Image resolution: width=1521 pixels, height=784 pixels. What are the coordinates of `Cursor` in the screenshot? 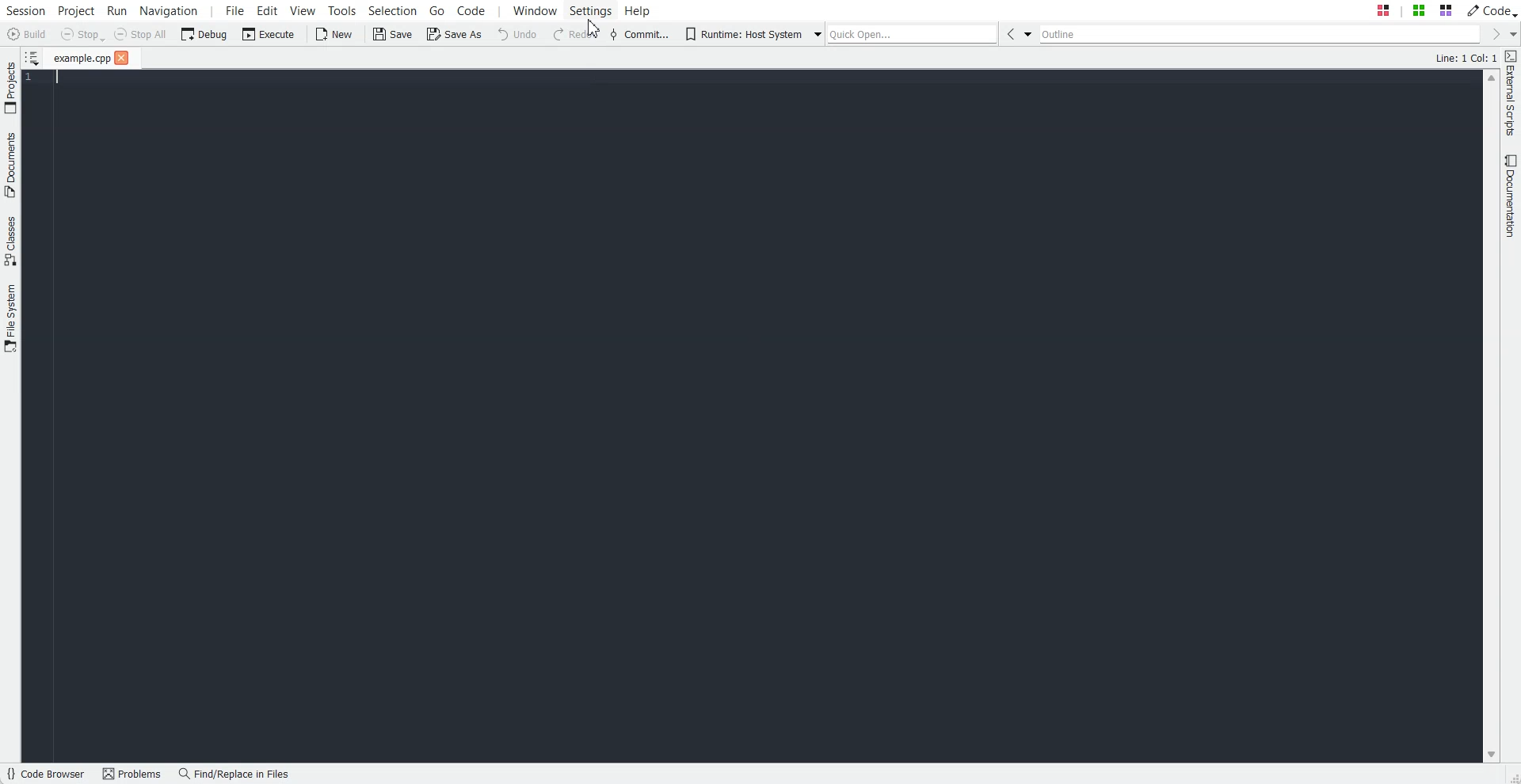 It's located at (594, 28).